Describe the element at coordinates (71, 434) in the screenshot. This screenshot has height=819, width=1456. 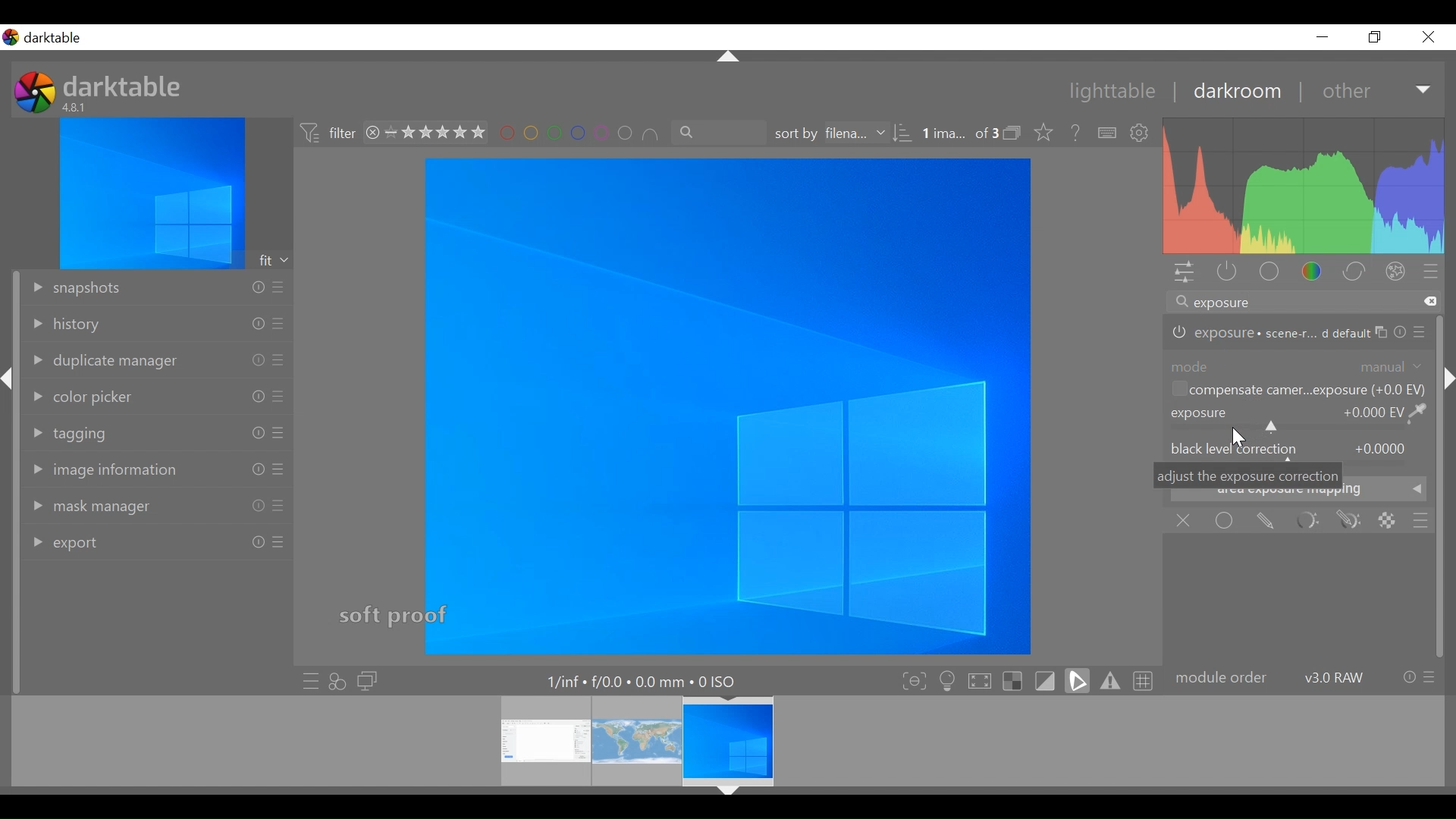
I see `tagging` at that location.